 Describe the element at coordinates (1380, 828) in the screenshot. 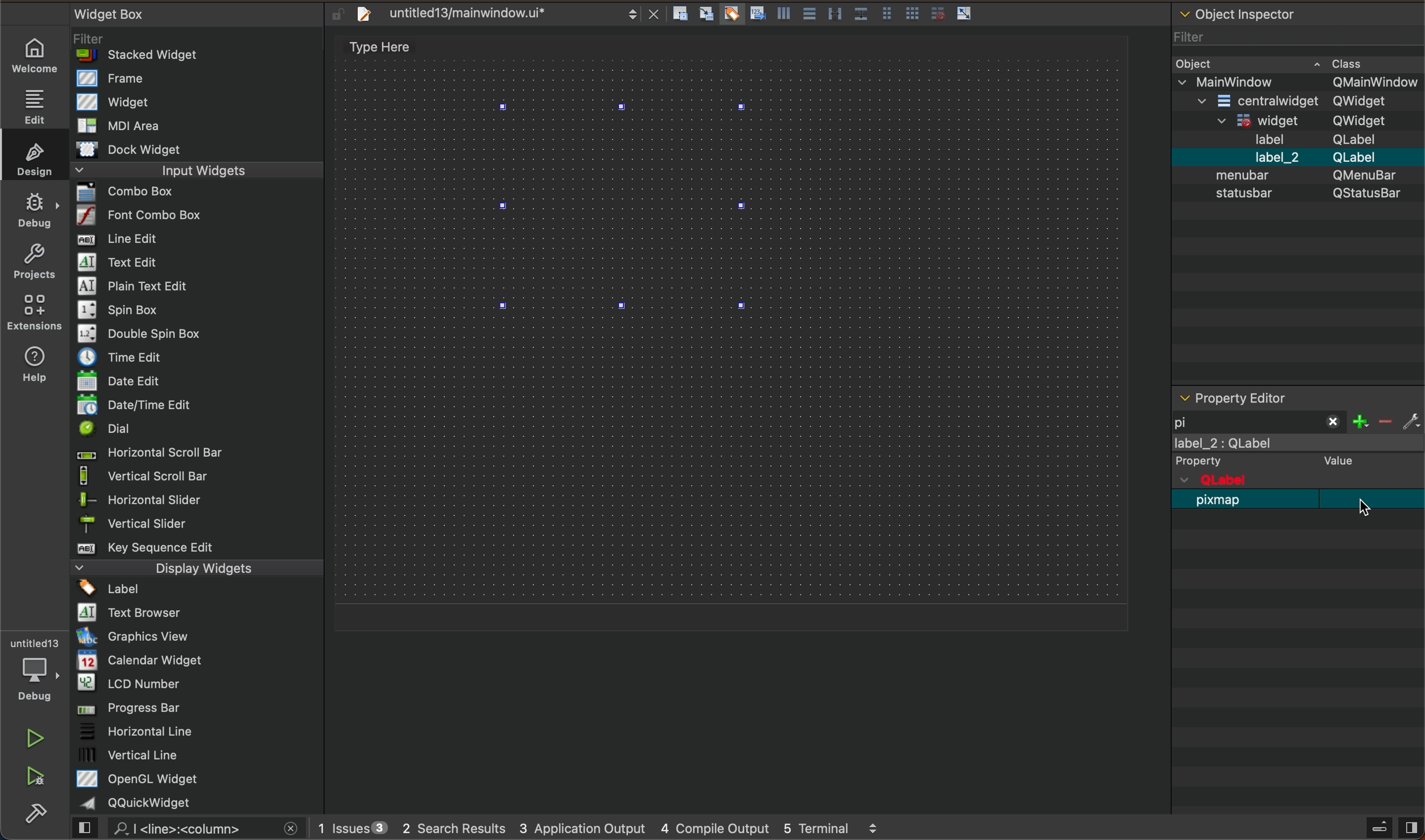

I see `` at that location.